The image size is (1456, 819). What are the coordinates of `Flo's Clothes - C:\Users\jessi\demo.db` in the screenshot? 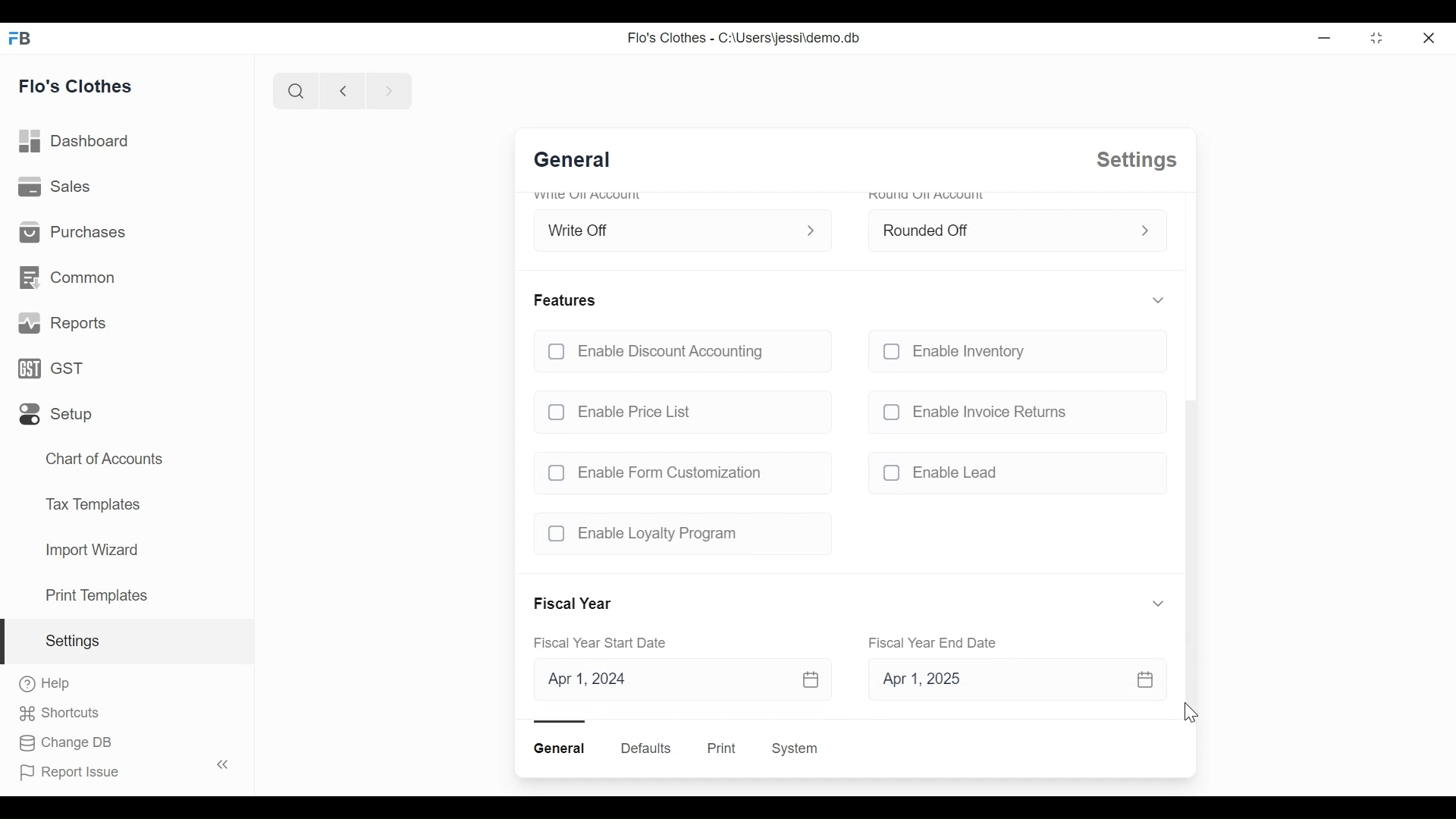 It's located at (742, 38).